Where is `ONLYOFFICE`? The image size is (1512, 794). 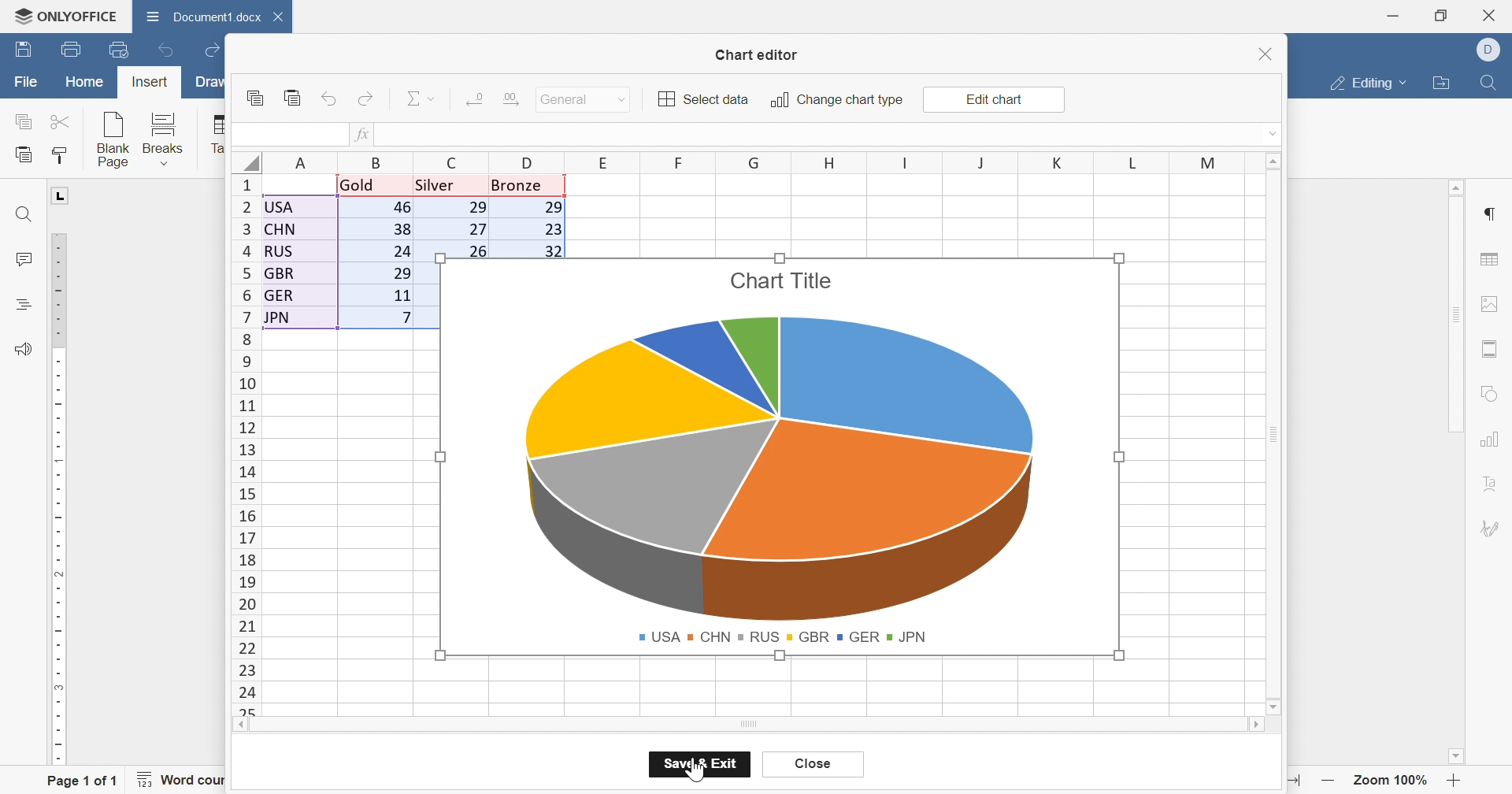 ONLYOFFICE is located at coordinates (68, 17).